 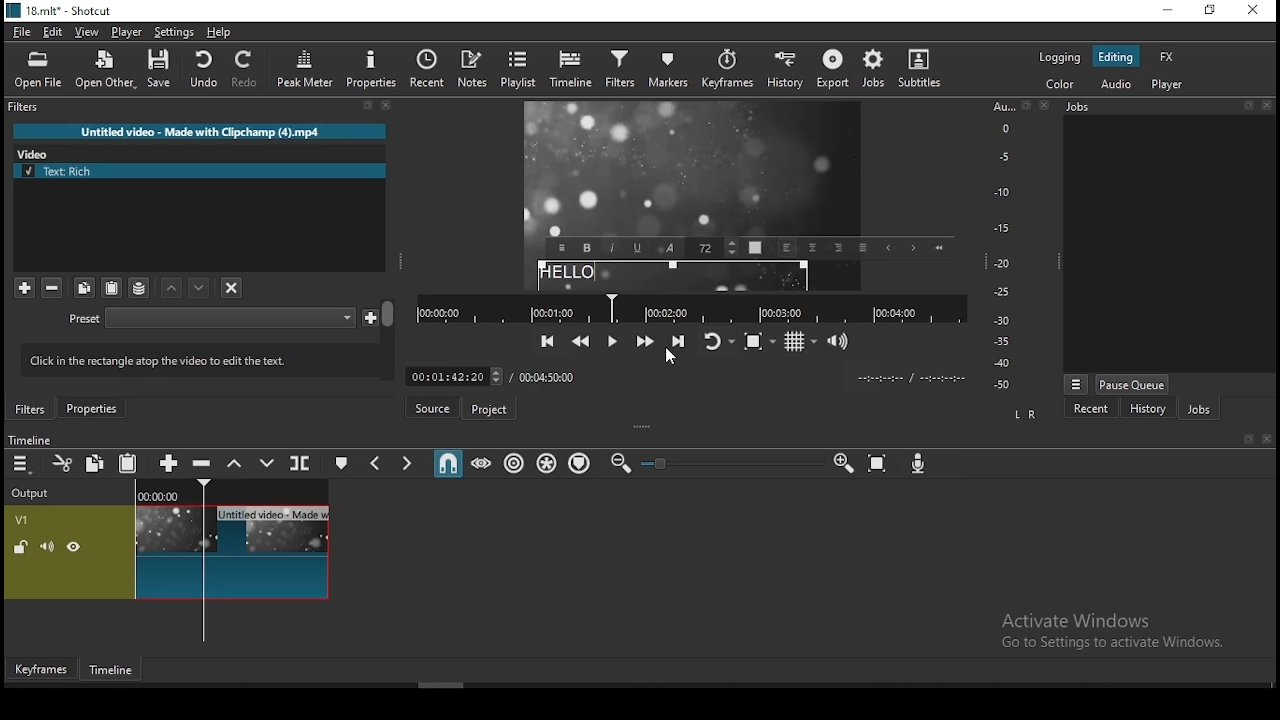 I want to click on project, so click(x=487, y=410).